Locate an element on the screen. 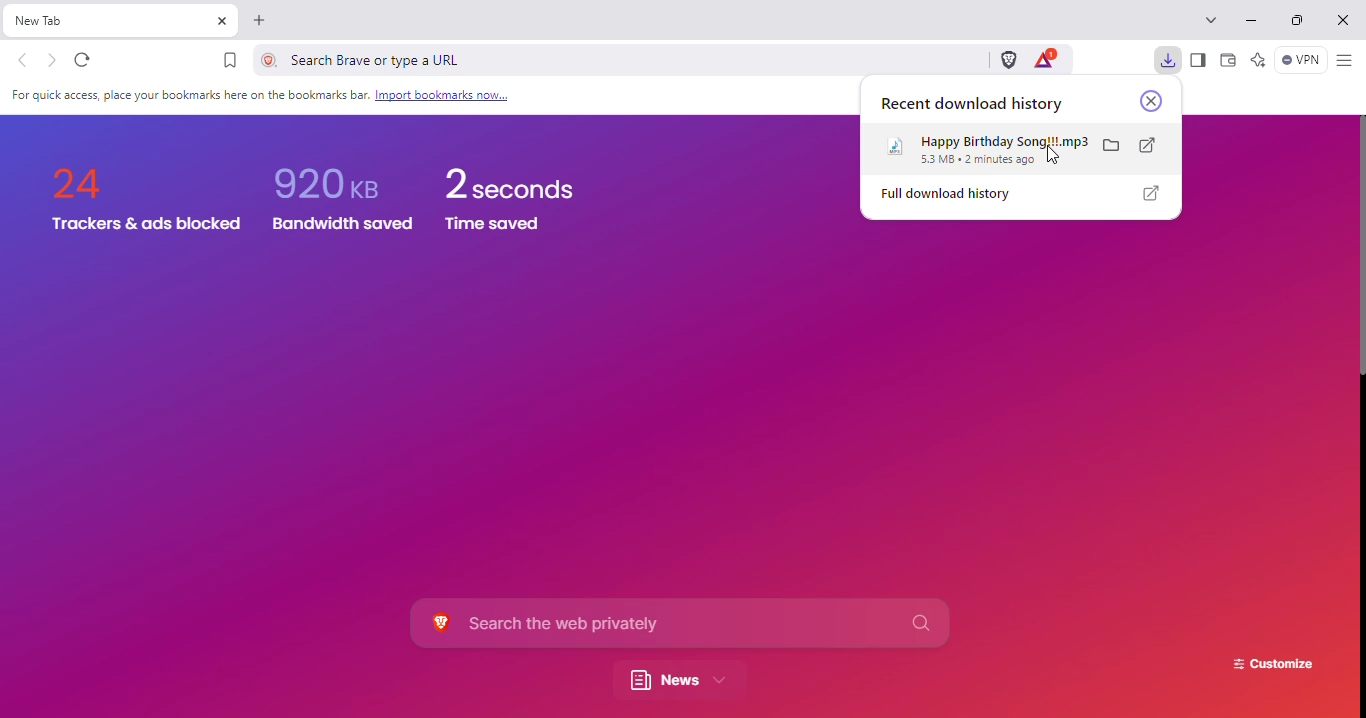 The image size is (1366, 718). leo AI is located at coordinates (1258, 59).